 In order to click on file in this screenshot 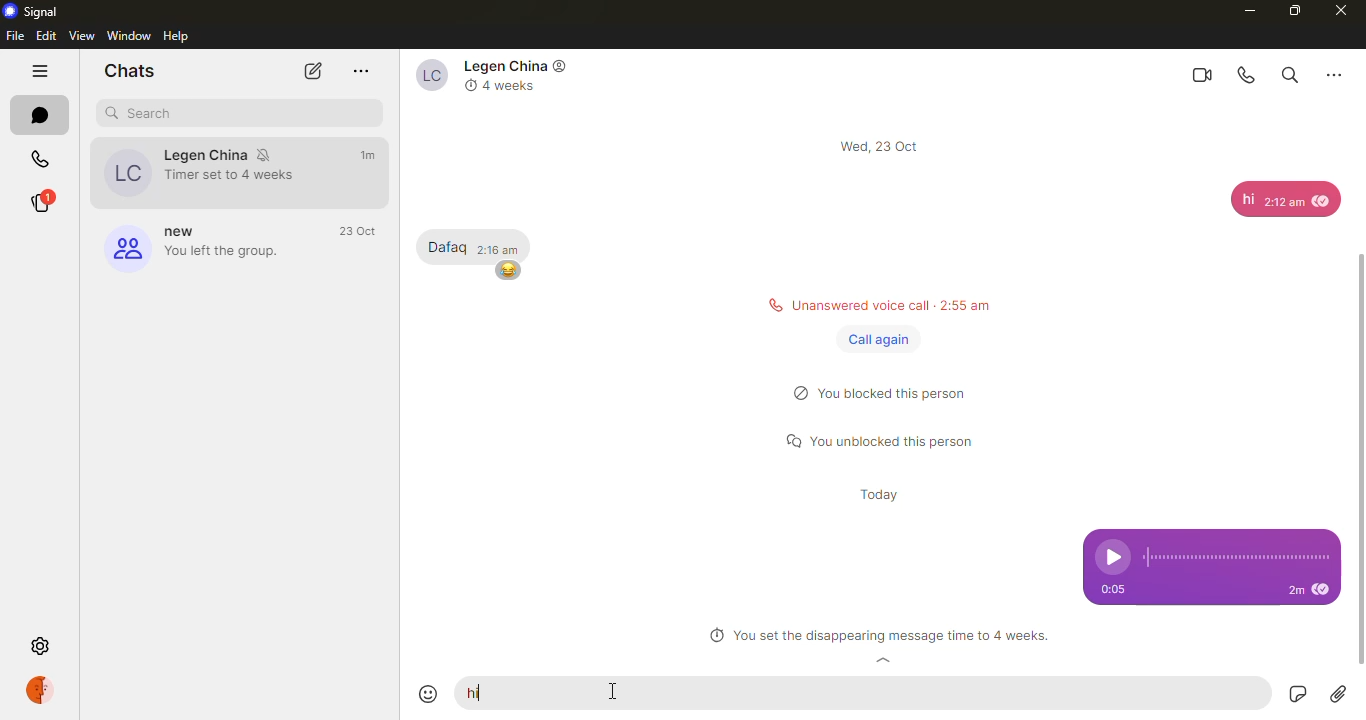, I will do `click(15, 36)`.